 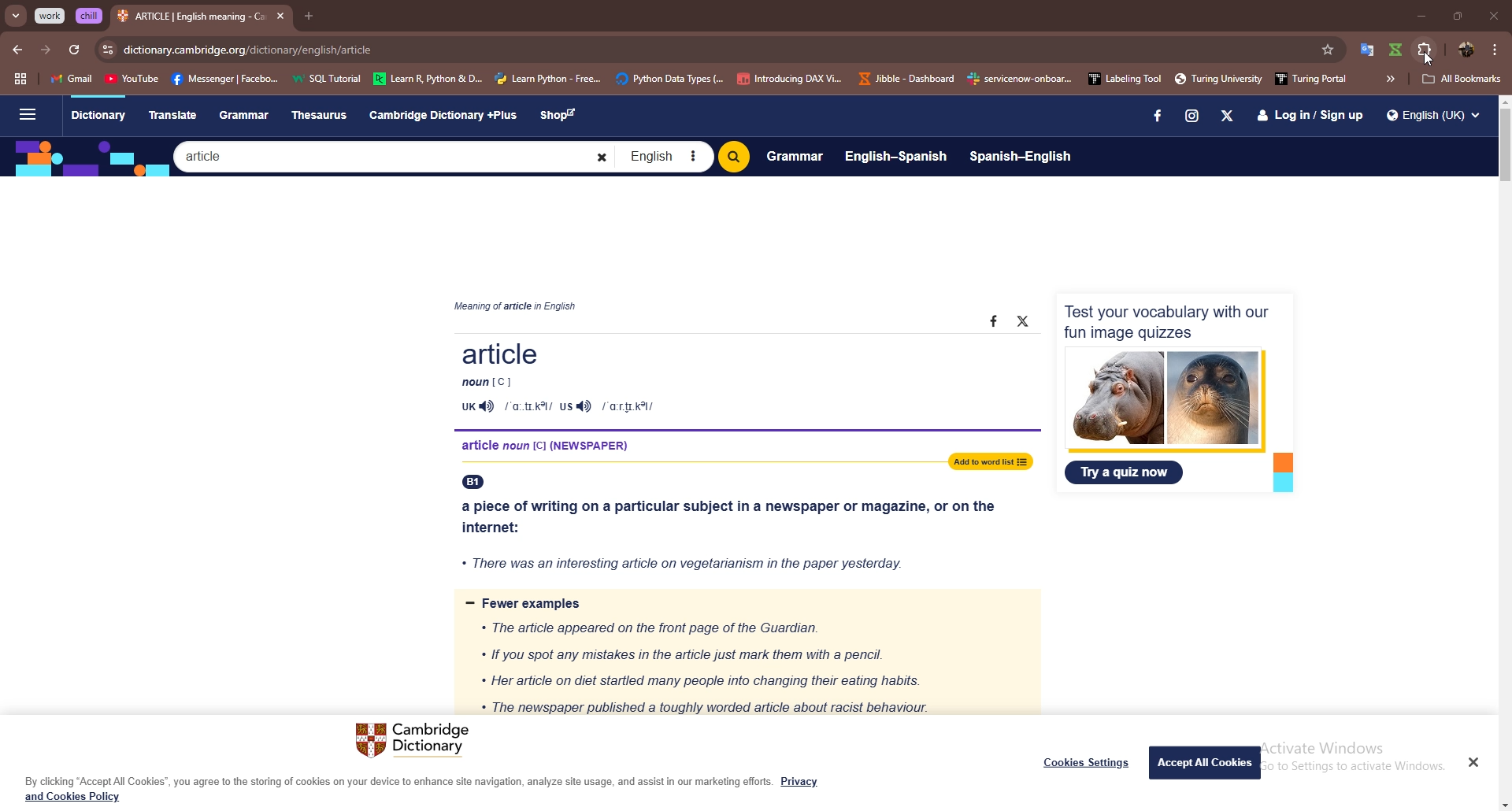 What do you see at coordinates (1191, 115) in the screenshot?
I see `Instagram` at bounding box center [1191, 115].